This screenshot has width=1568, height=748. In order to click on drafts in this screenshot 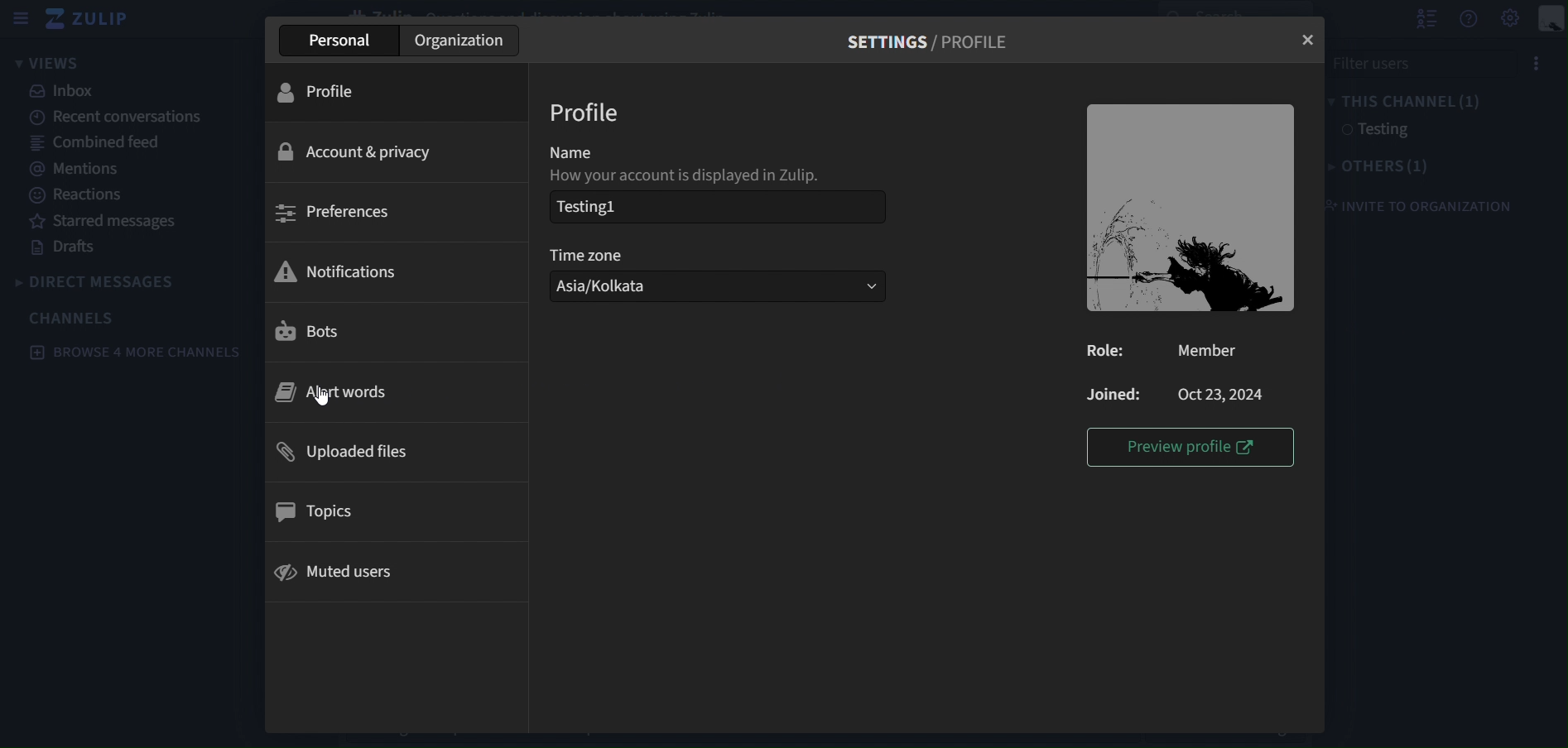, I will do `click(71, 250)`.